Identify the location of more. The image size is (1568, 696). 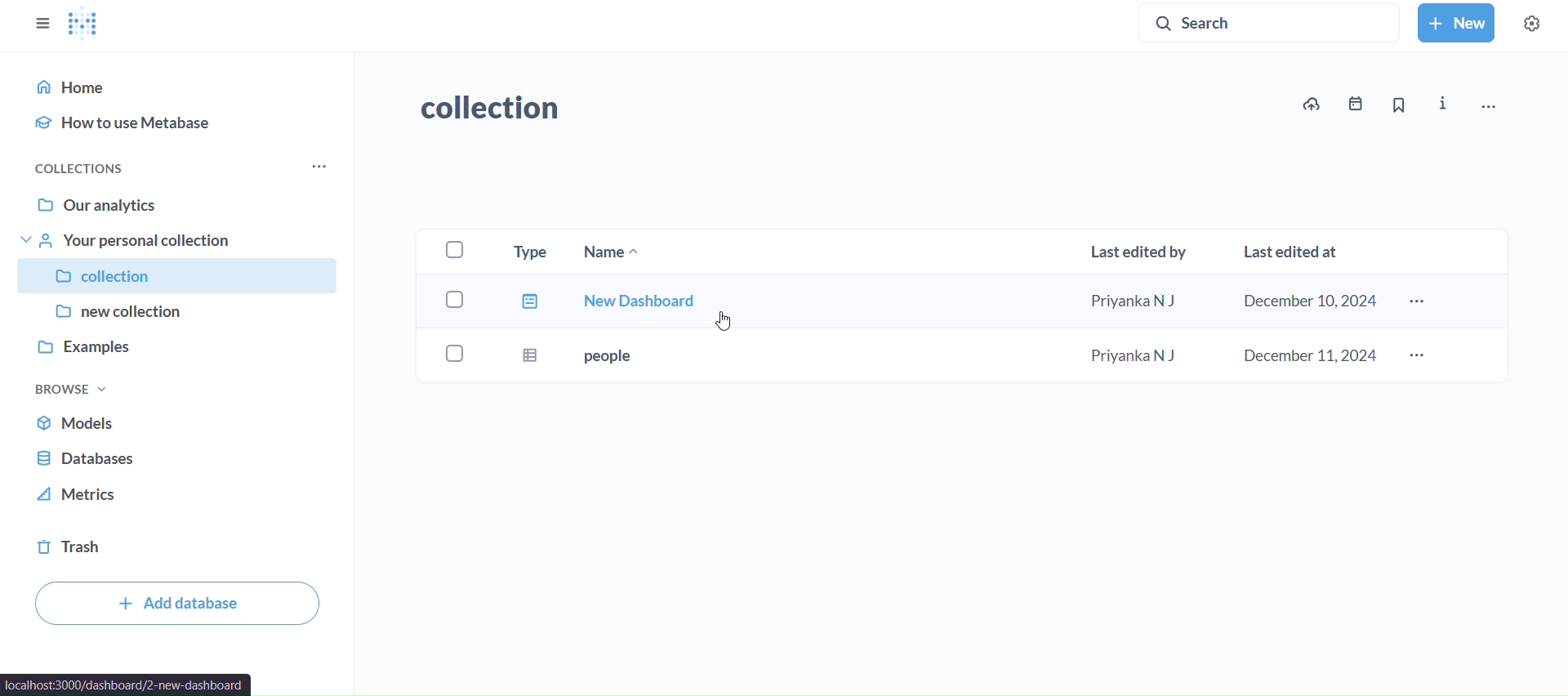
(315, 166).